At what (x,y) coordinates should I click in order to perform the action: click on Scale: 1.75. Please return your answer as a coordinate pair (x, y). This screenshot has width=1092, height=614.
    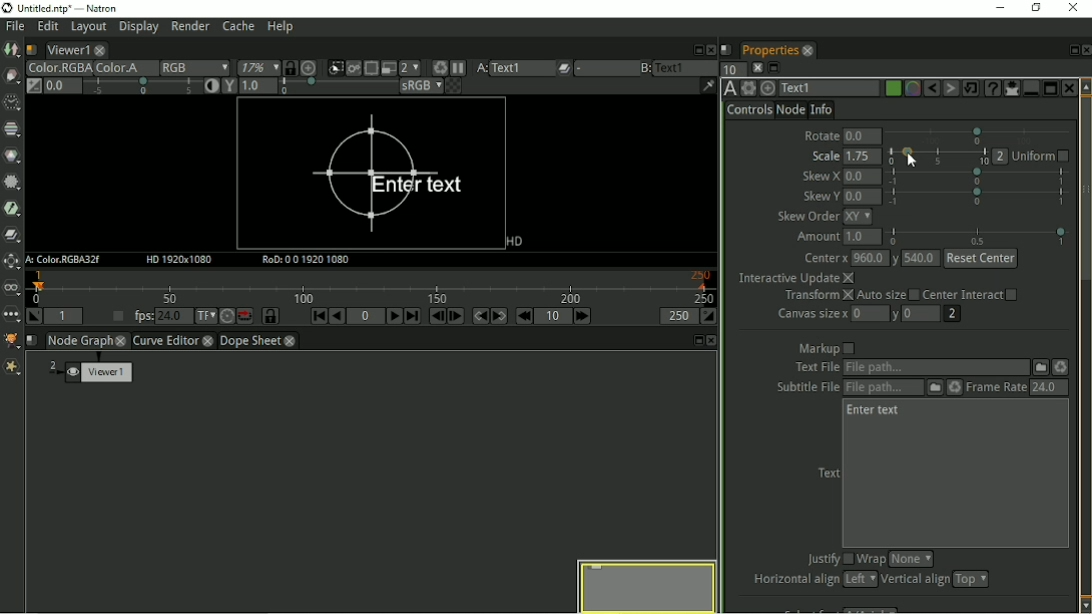
    Looking at the image, I should click on (843, 156).